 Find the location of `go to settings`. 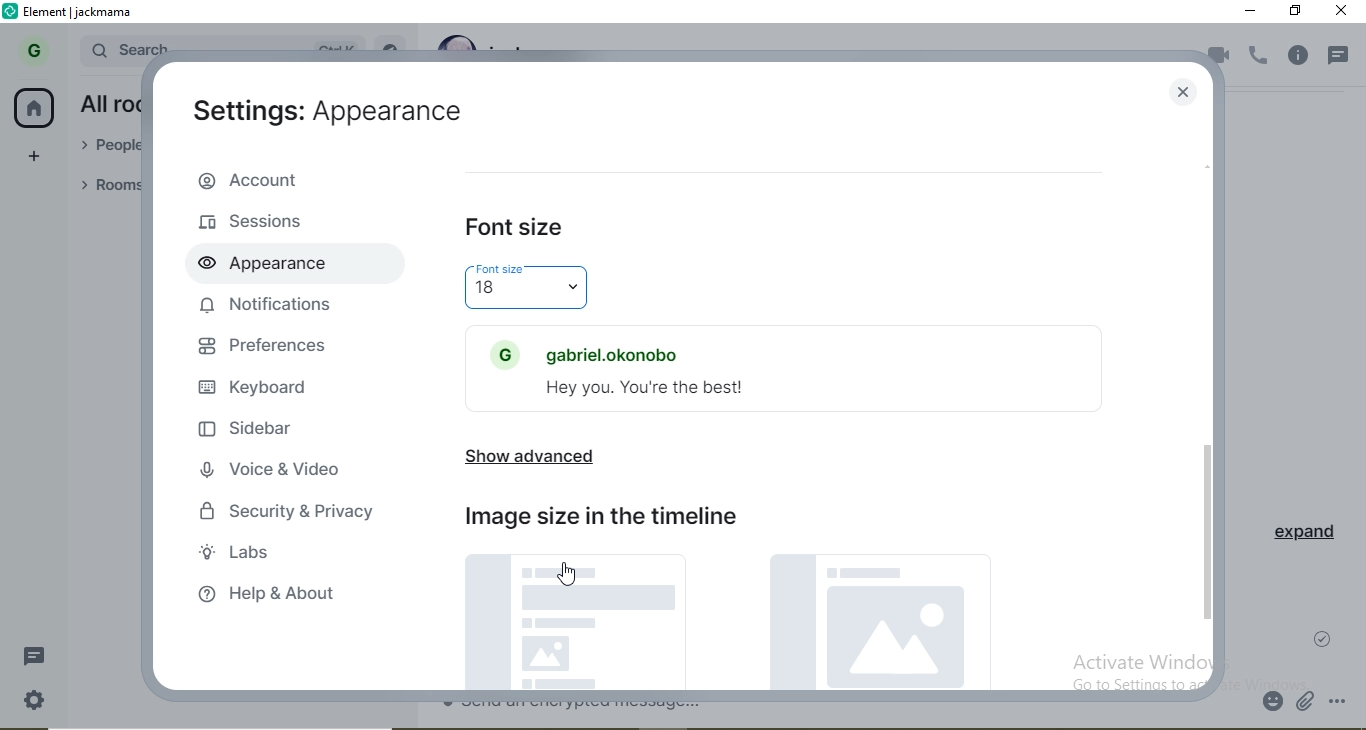

go to settings is located at coordinates (1124, 689).